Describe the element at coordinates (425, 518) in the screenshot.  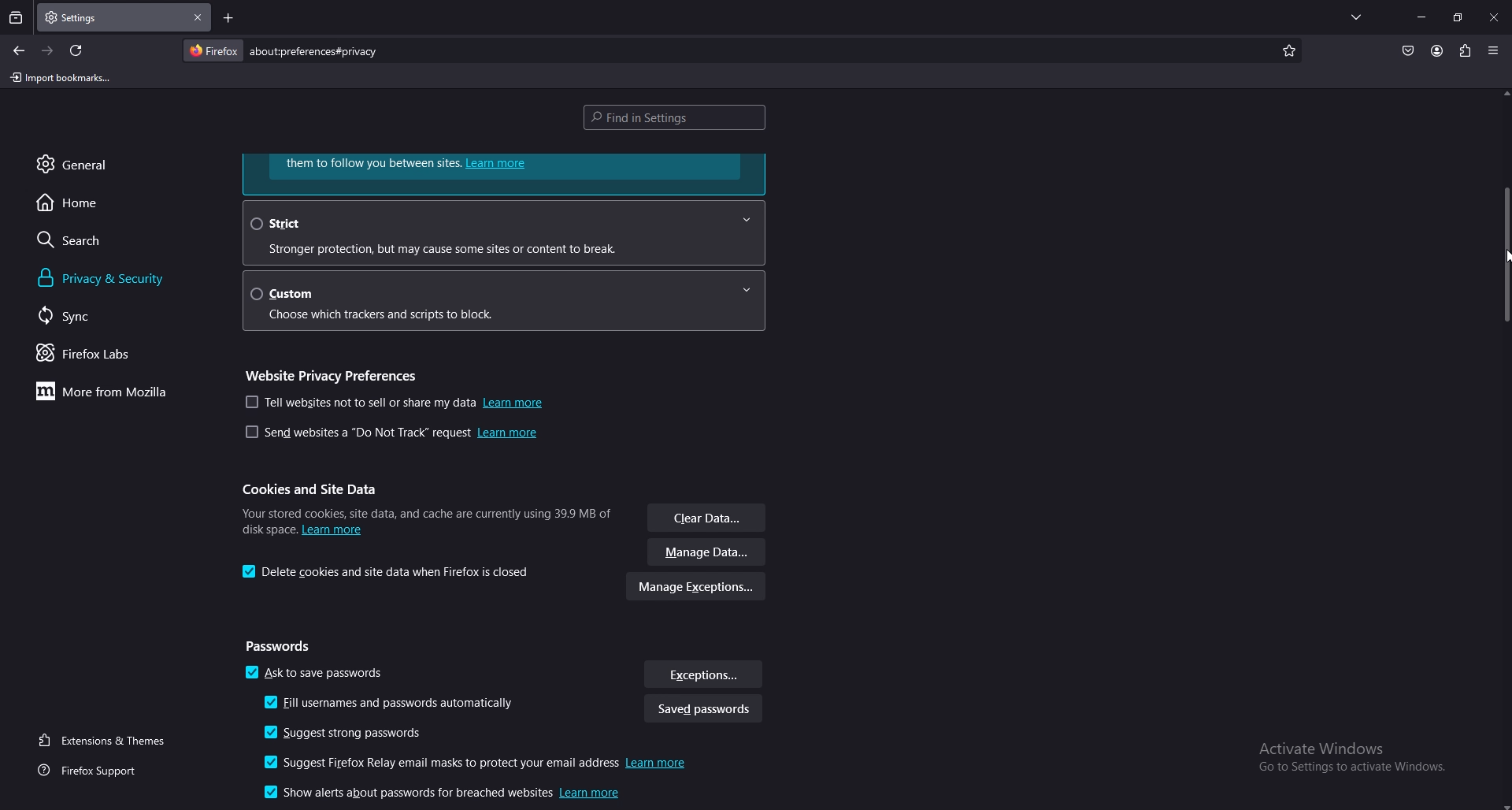
I see `info` at that location.